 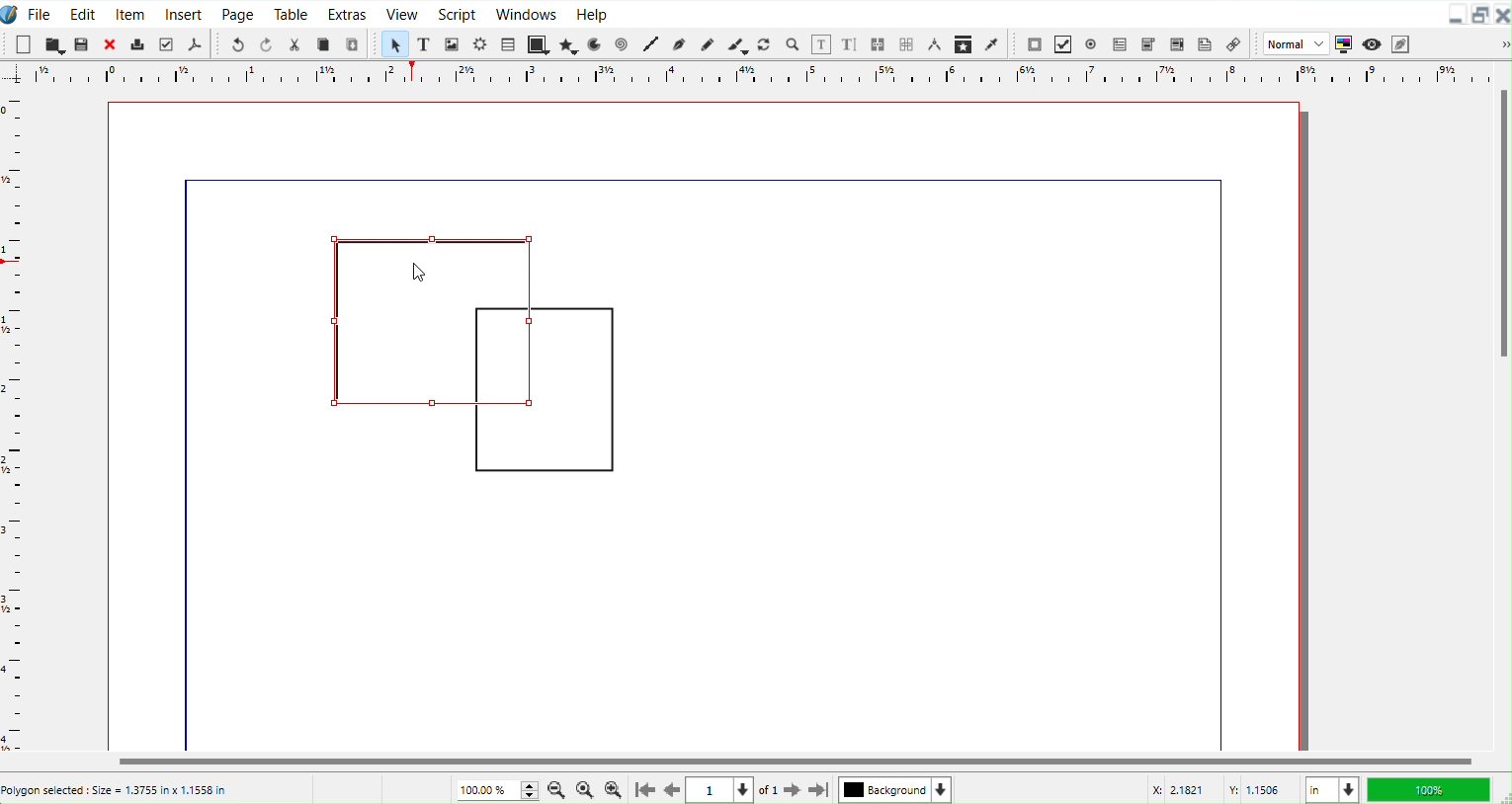 I want to click on Table, so click(x=292, y=13).